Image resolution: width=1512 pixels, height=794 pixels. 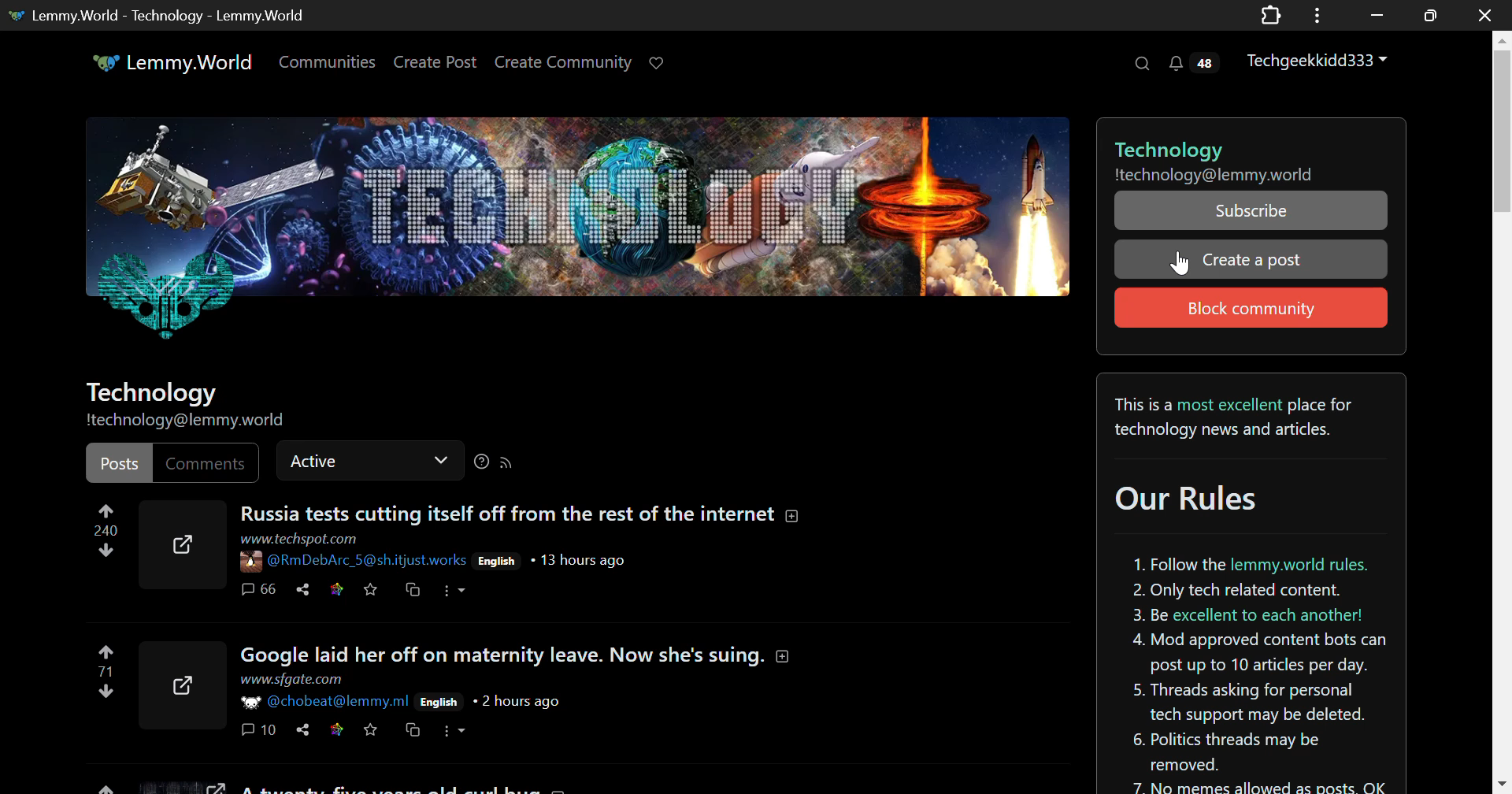 What do you see at coordinates (301, 590) in the screenshot?
I see `Share` at bounding box center [301, 590].